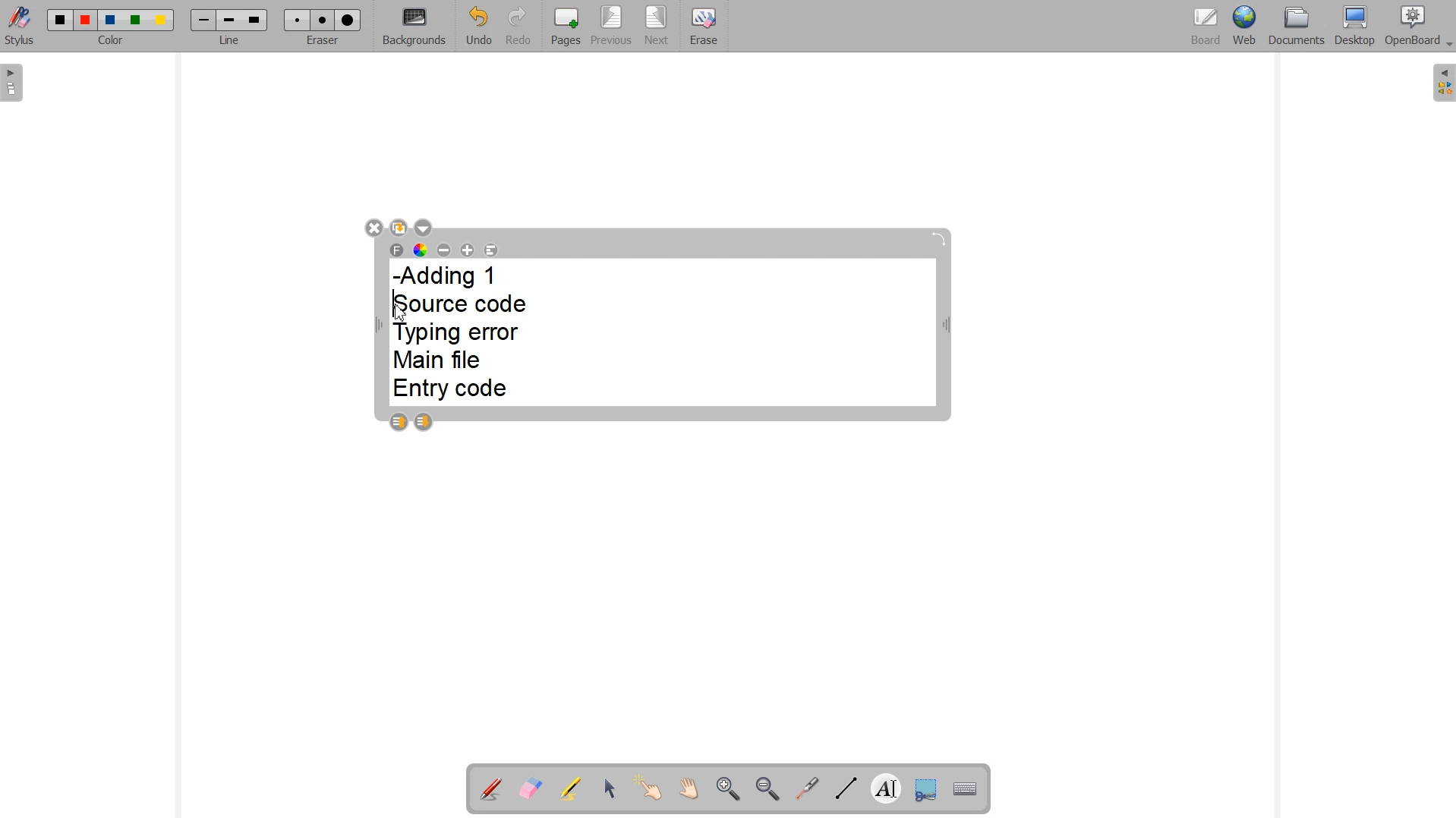 The image size is (1456, 818). What do you see at coordinates (468, 250) in the screenshot?
I see `Increase font size ` at bounding box center [468, 250].